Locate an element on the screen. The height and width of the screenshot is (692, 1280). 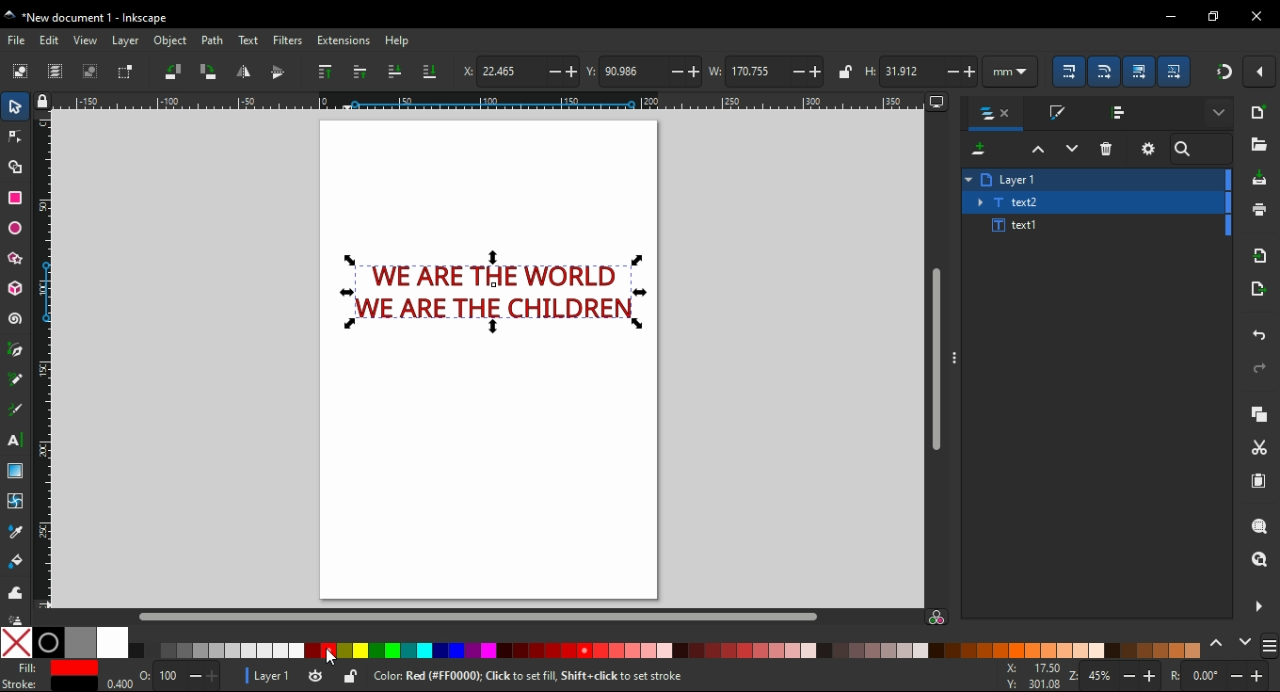
raise is located at coordinates (359, 72).